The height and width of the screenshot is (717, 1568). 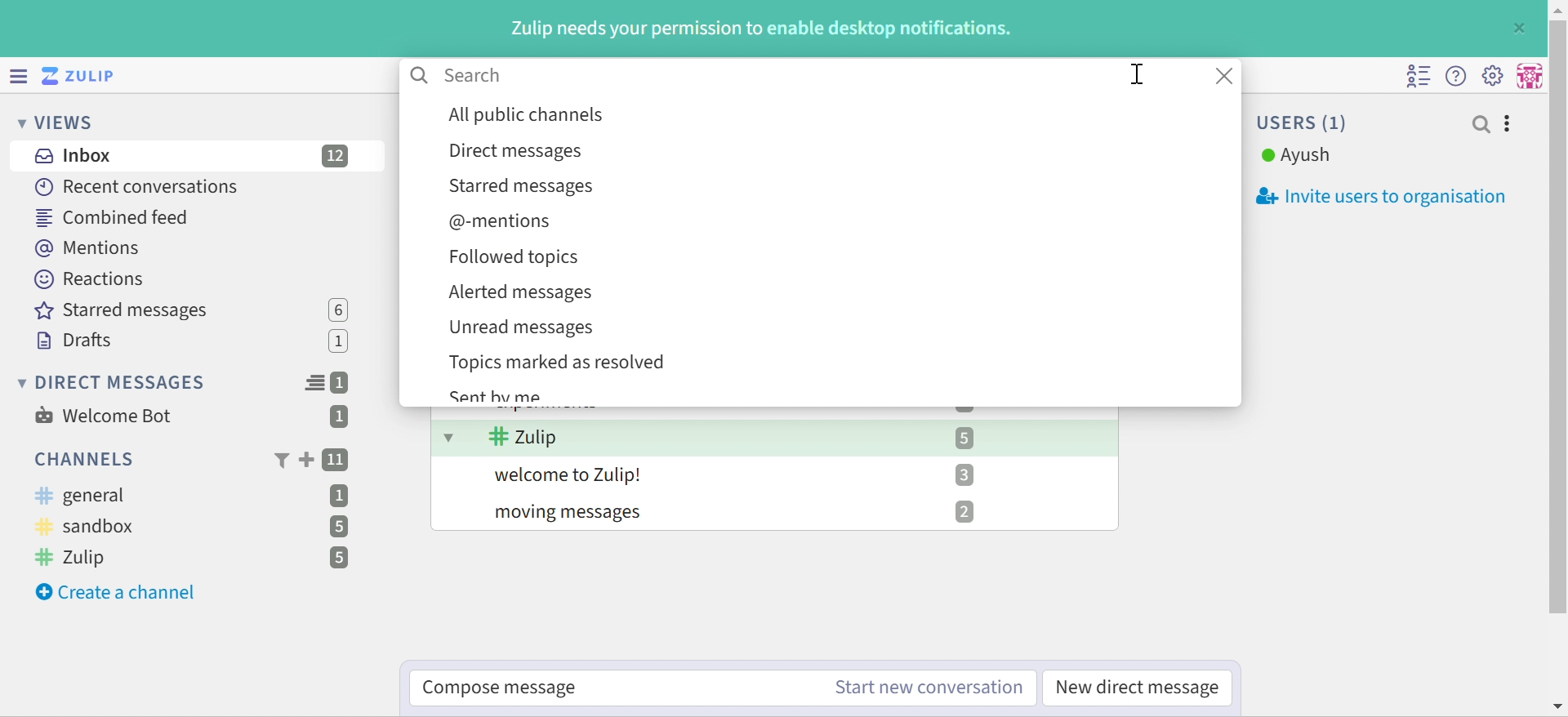 I want to click on All public channels, so click(x=528, y=114).